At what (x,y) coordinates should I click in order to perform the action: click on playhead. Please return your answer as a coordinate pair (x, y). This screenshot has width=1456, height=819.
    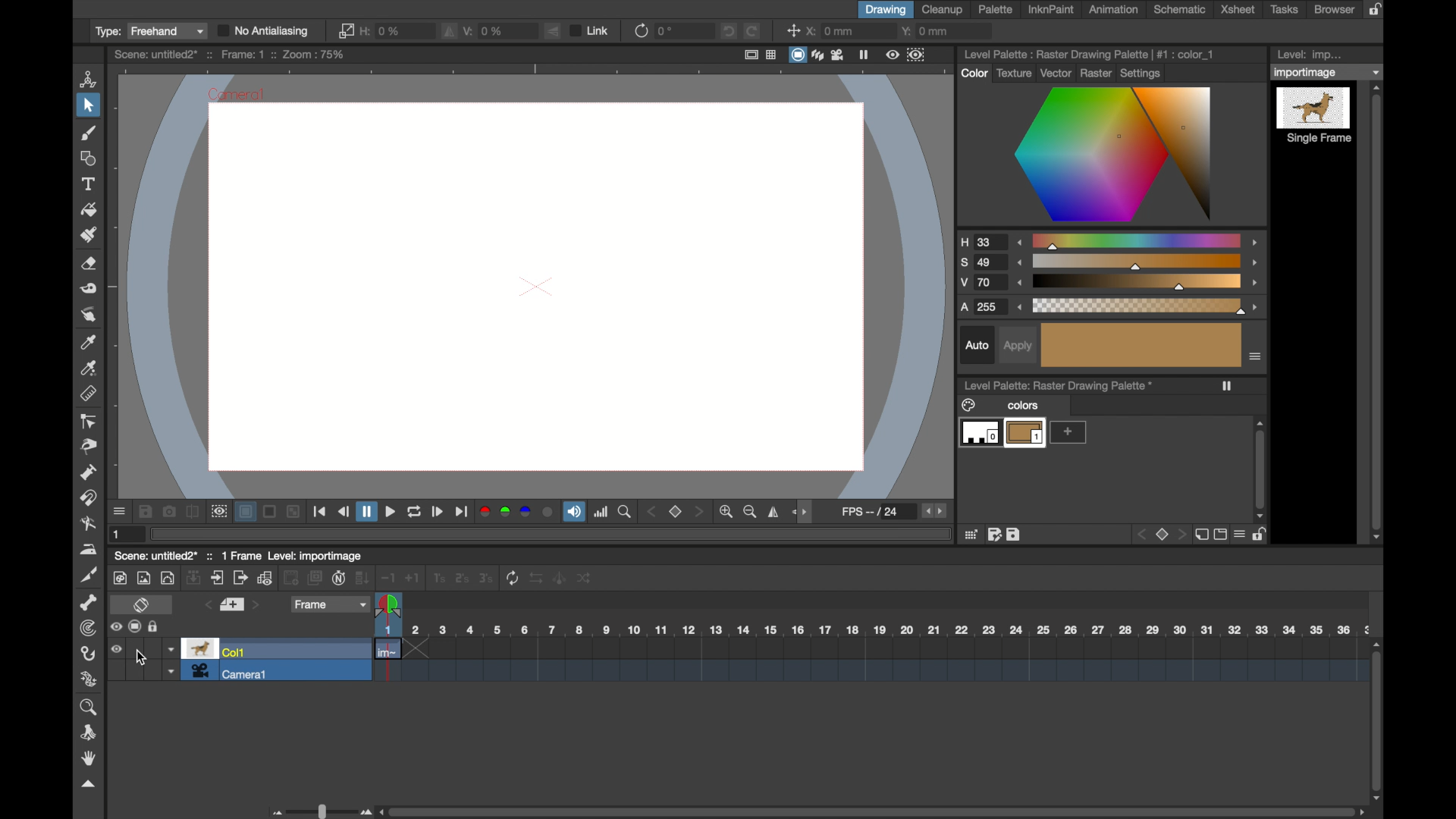
    Looking at the image, I should click on (388, 606).